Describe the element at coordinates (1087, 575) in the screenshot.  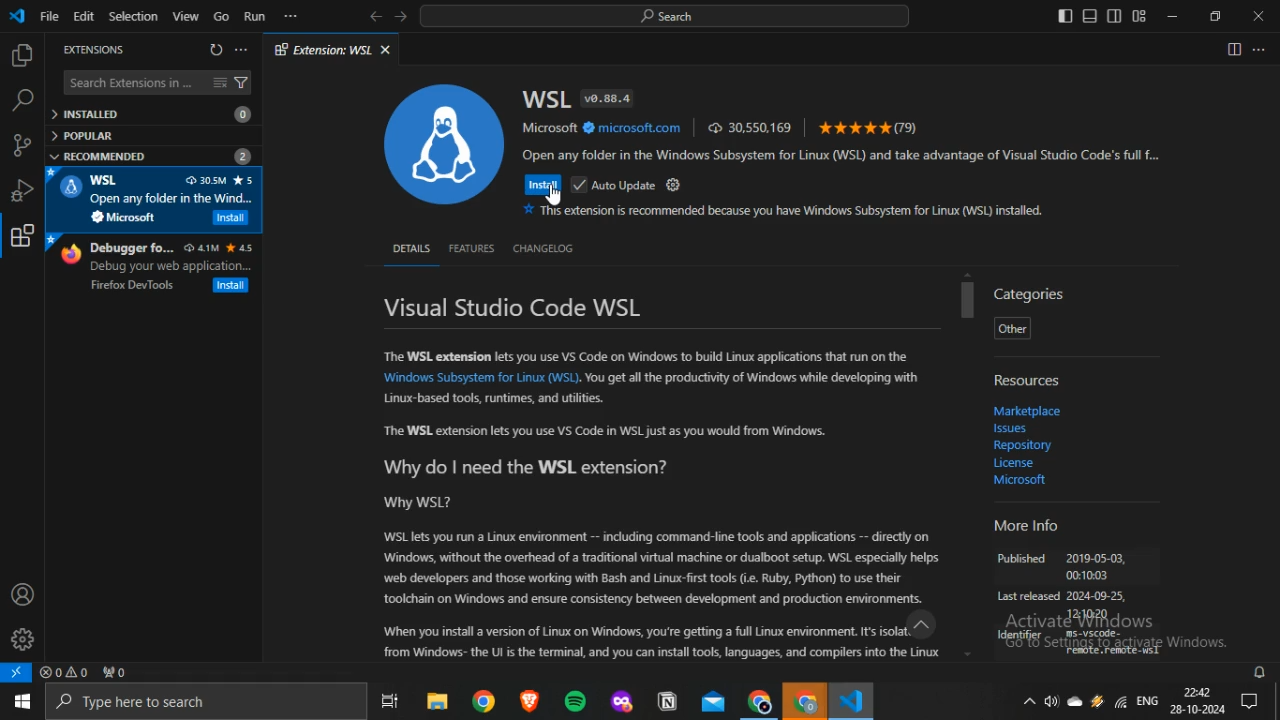
I see `00:10:03` at that location.